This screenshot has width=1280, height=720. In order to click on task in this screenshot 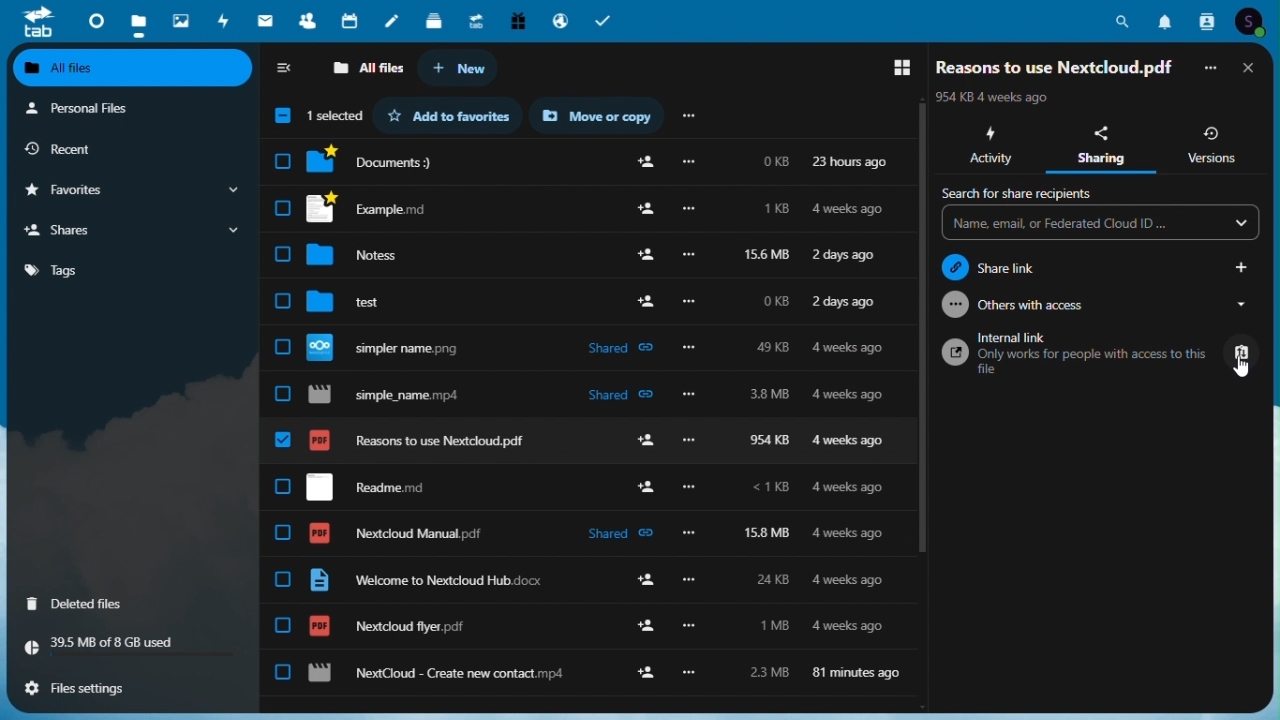, I will do `click(606, 21)`.